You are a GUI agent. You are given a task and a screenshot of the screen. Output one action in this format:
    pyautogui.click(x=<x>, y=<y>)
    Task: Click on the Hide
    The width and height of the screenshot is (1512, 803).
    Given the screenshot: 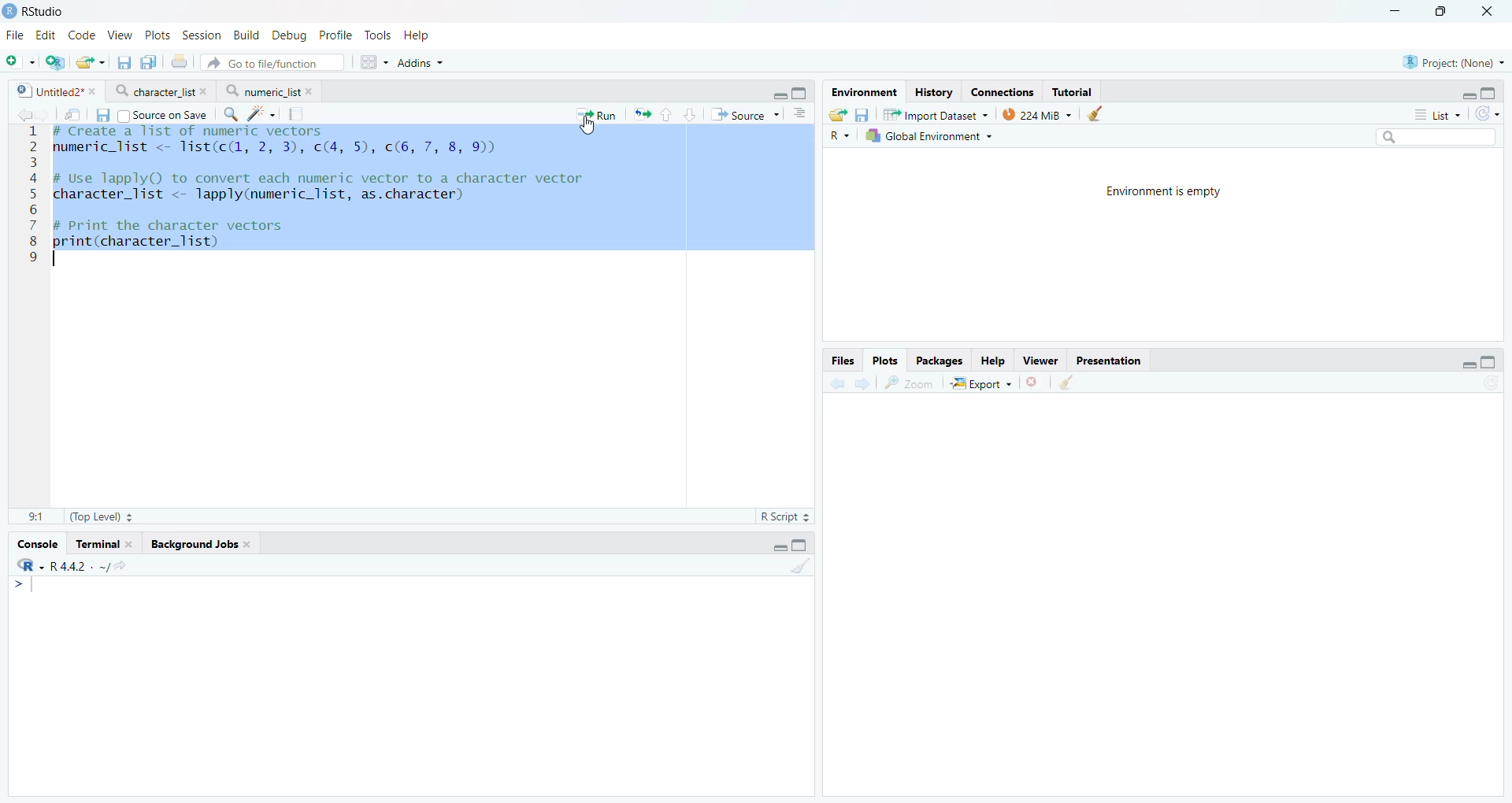 What is the action you would take?
    pyautogui.click(x=779, y=95)
    